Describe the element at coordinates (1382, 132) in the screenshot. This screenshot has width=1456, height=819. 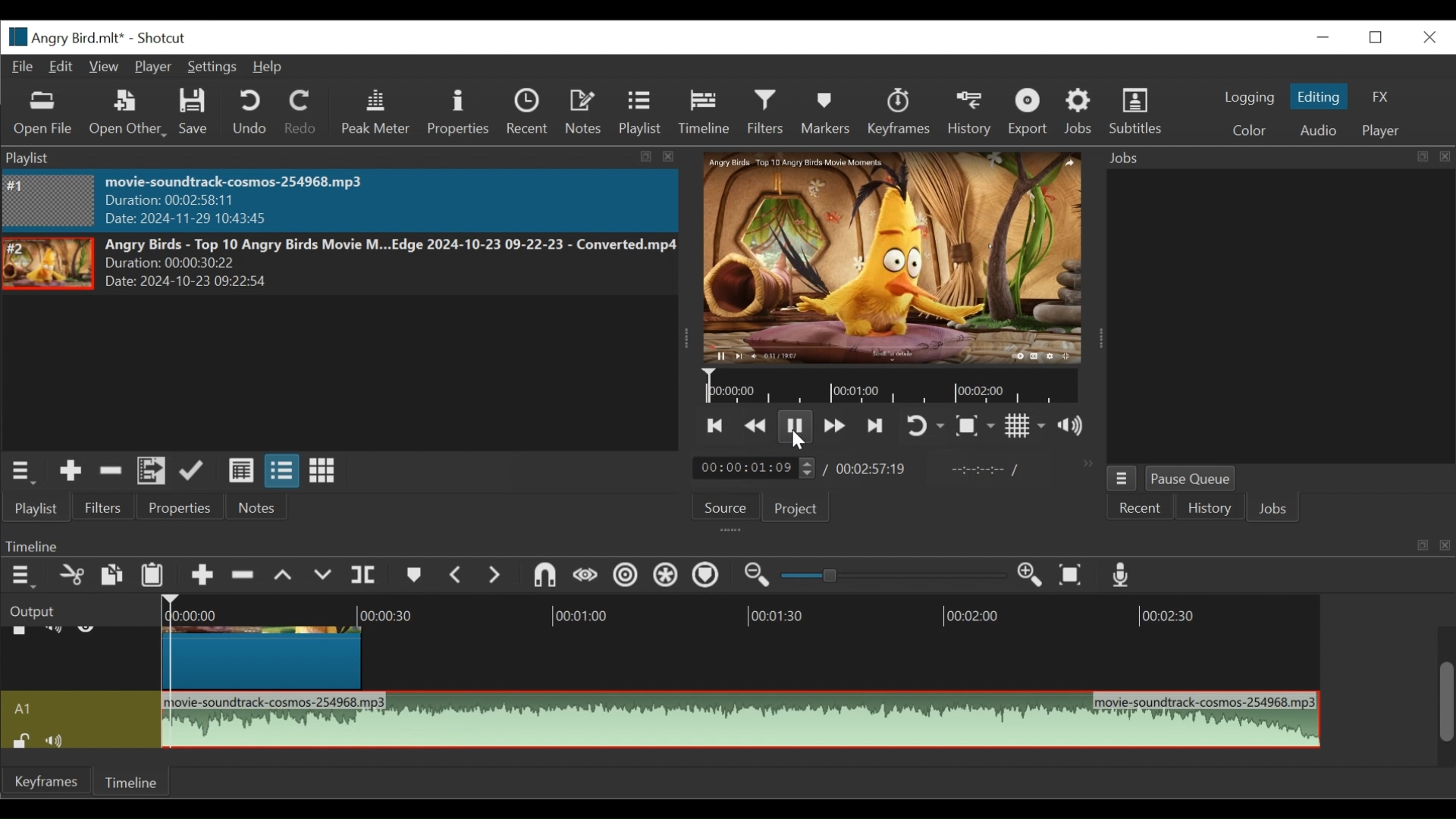
I see `Player` at that location.